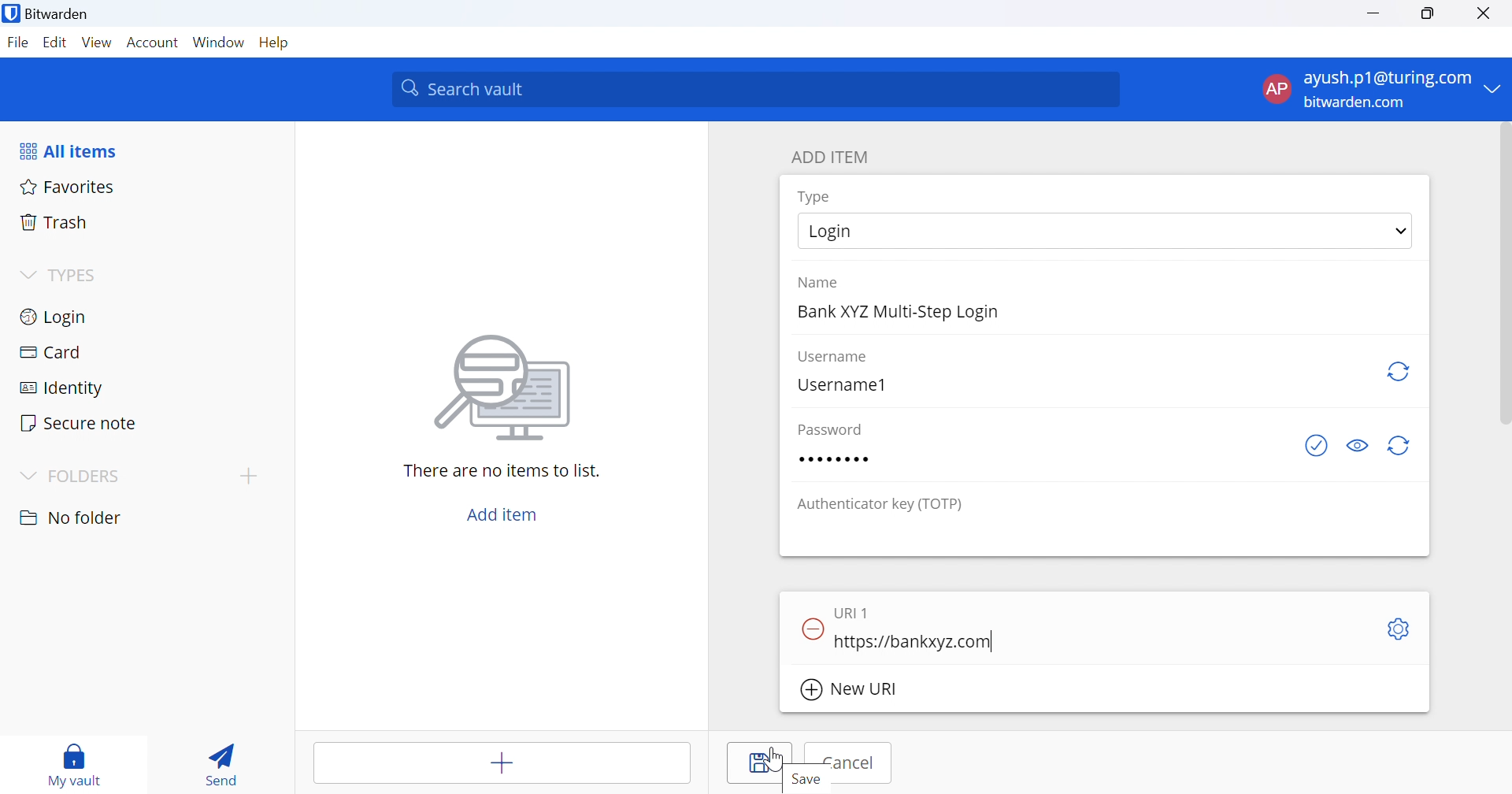  Describe the element at coordinates (1275, 88) in the screenshot. I see `AP` at that location.